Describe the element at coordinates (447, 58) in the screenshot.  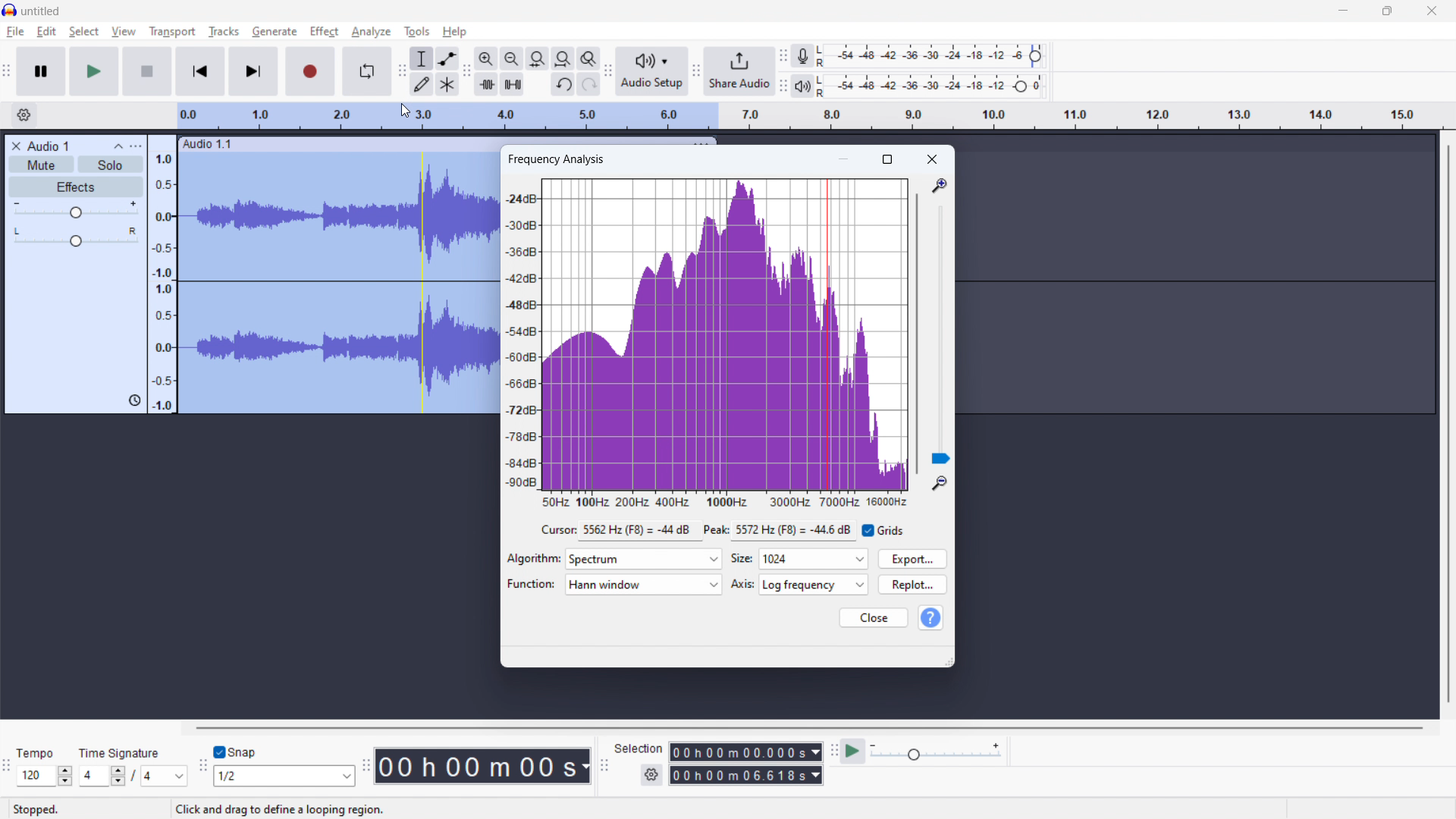
I see `envelop` at that location.